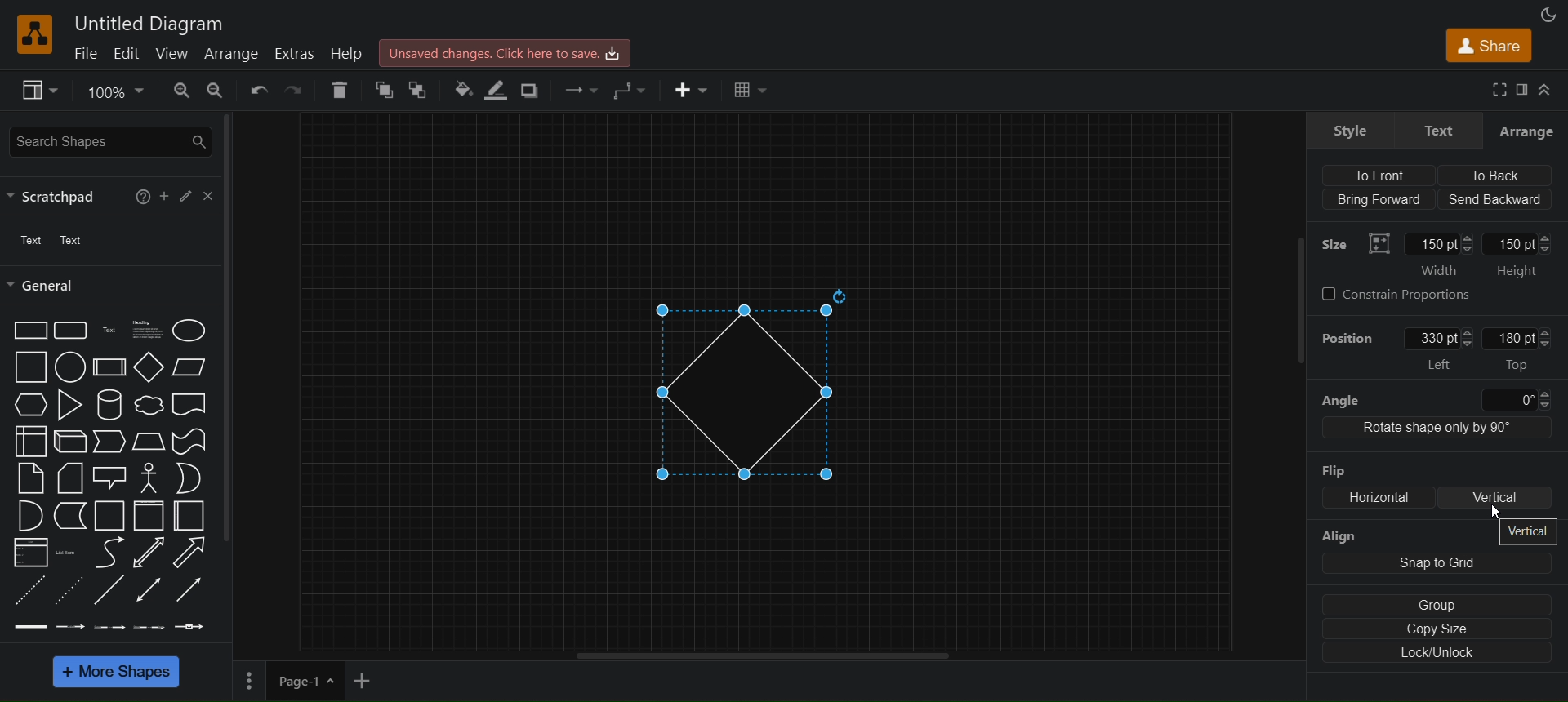 The height and width of the screenshot is (702, 1568). I want to click on zoom in, so click(179, 91).